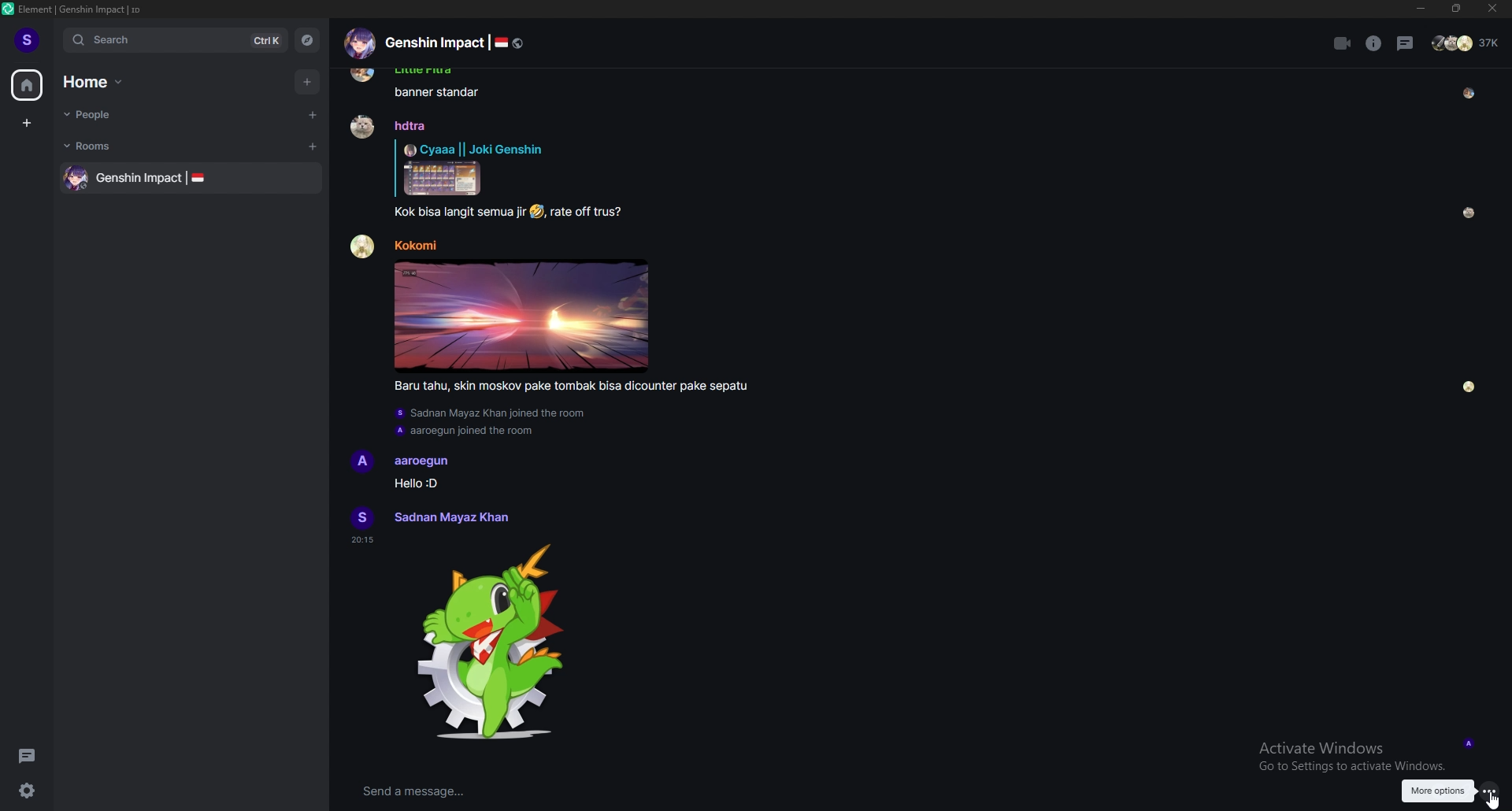  What do you see at coordinates (464, 431) in the screenshot?
I see `aaroegun joined the room` at bounding box center [464, 431].